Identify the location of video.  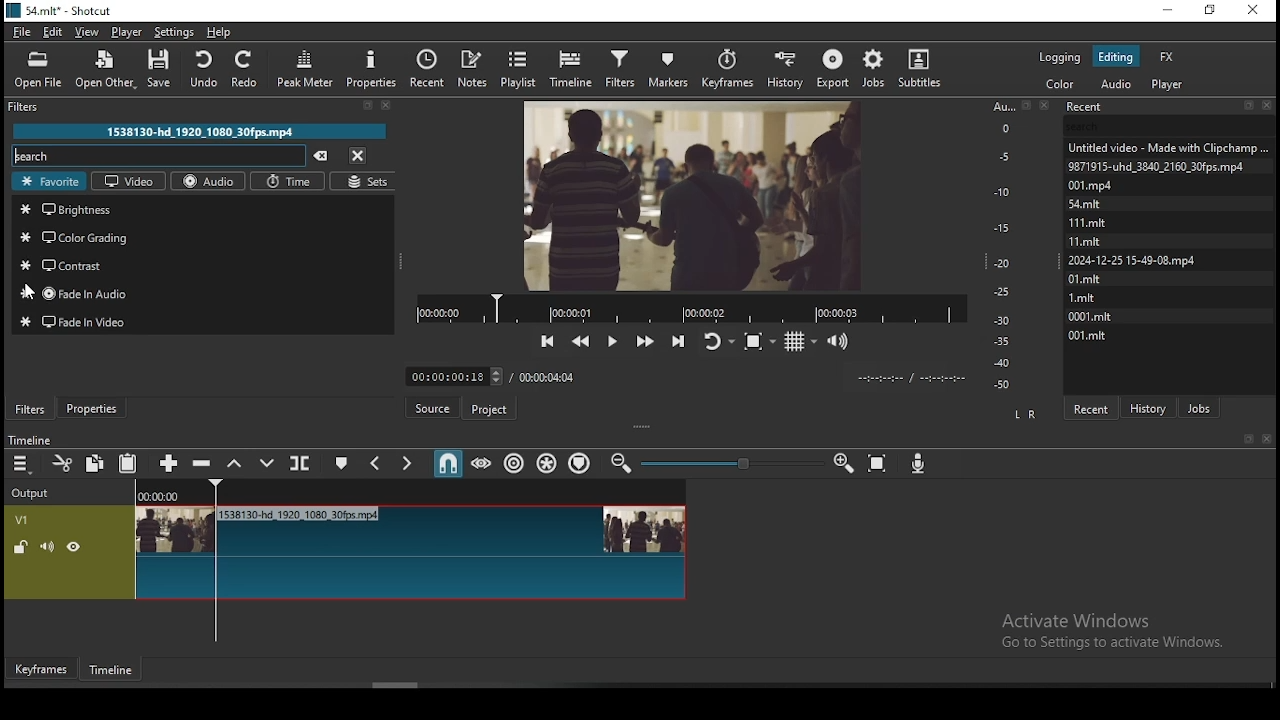
(128, 181).